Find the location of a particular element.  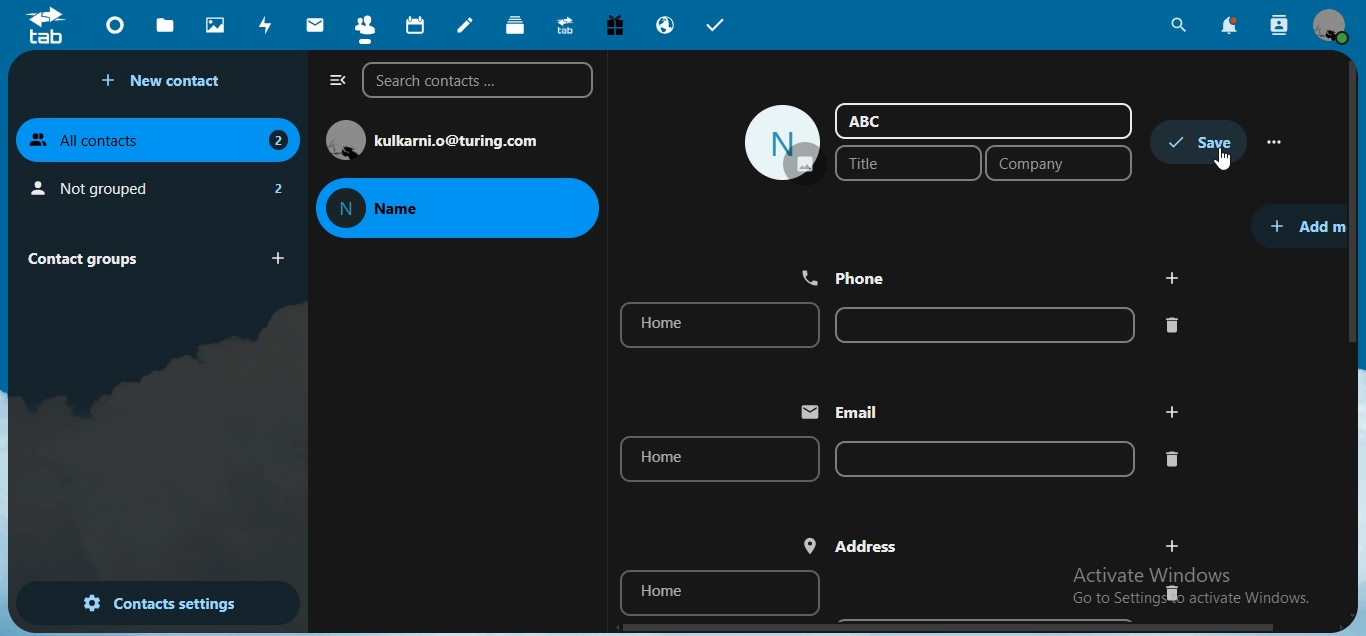

add is located at coordinates (1173, 544).